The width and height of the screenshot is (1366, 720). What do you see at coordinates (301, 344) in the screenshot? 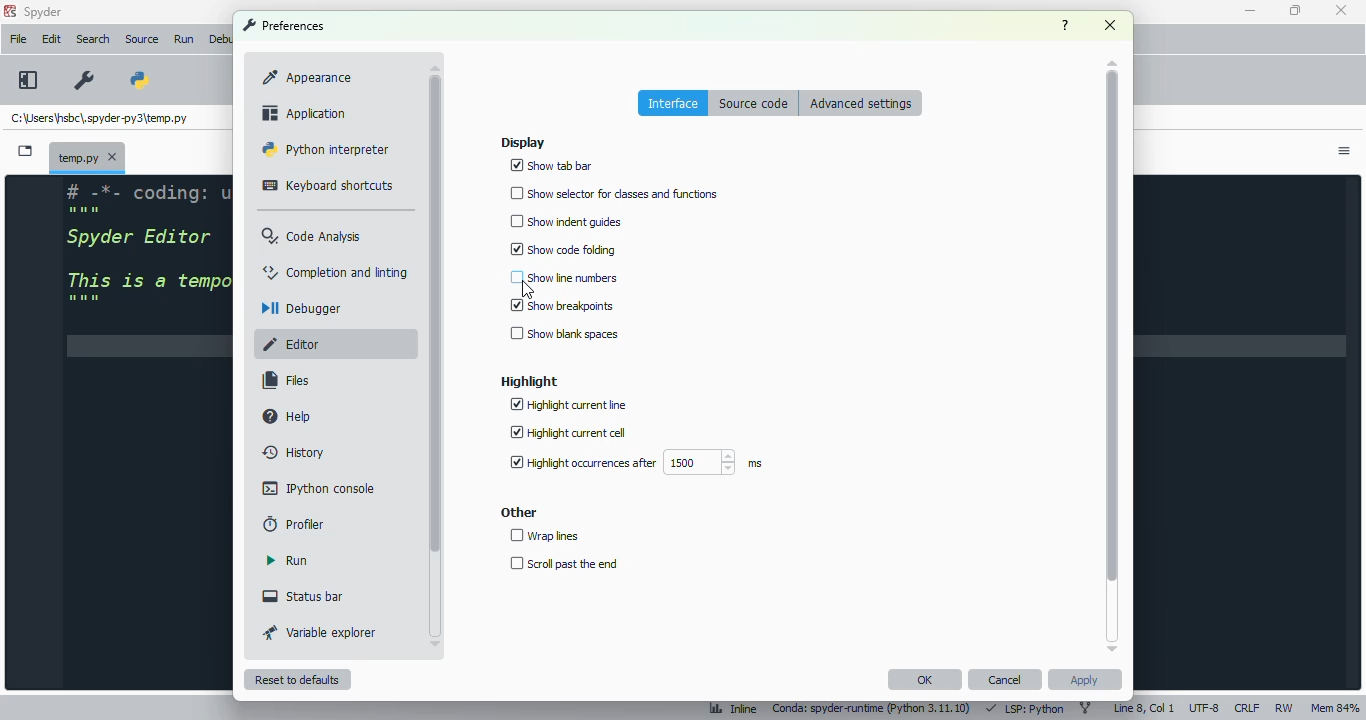
I see `editor` at bounding box center [301, 344].